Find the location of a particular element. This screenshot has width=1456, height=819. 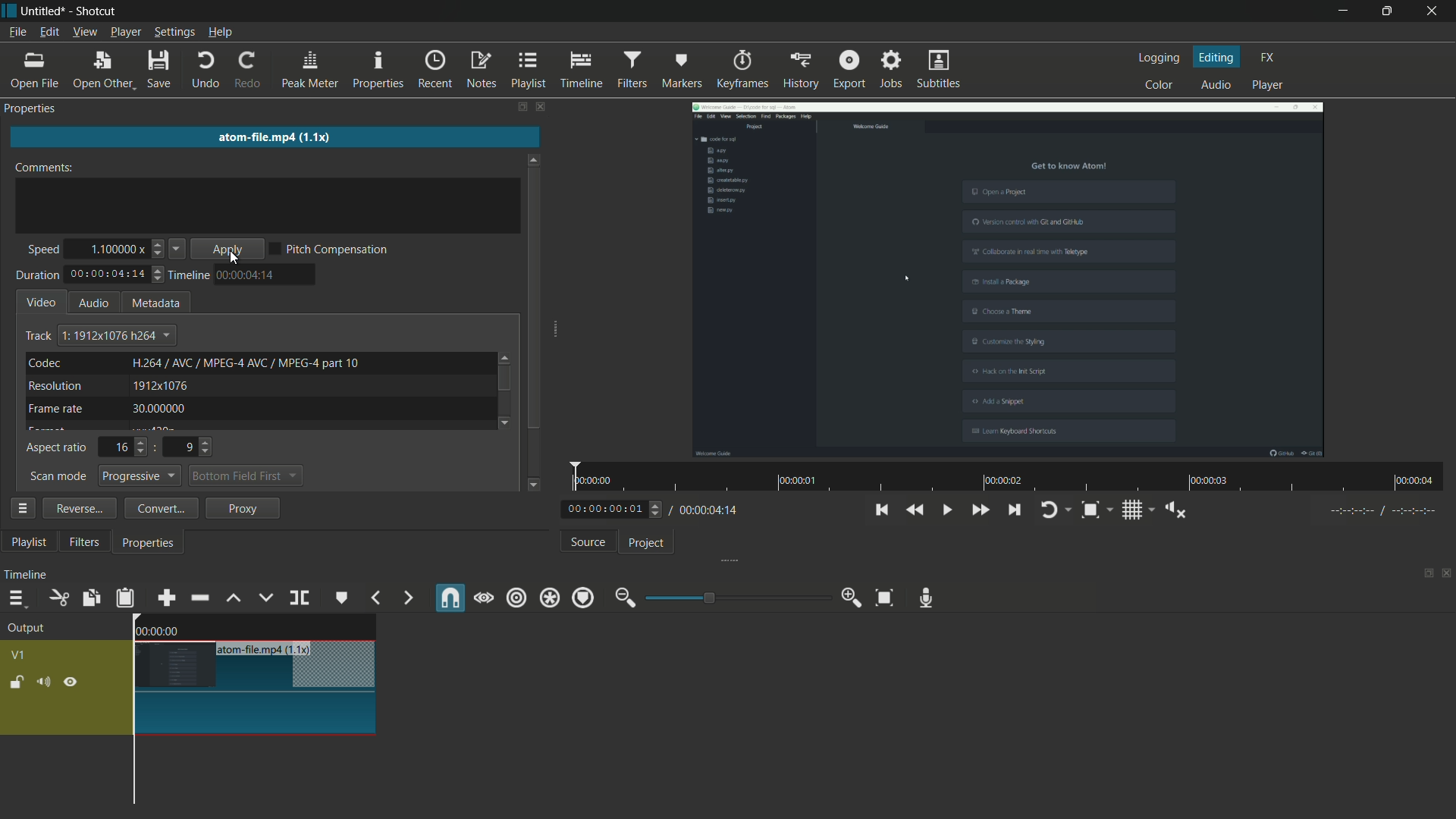

ripple is located at coordinates (516, 600).